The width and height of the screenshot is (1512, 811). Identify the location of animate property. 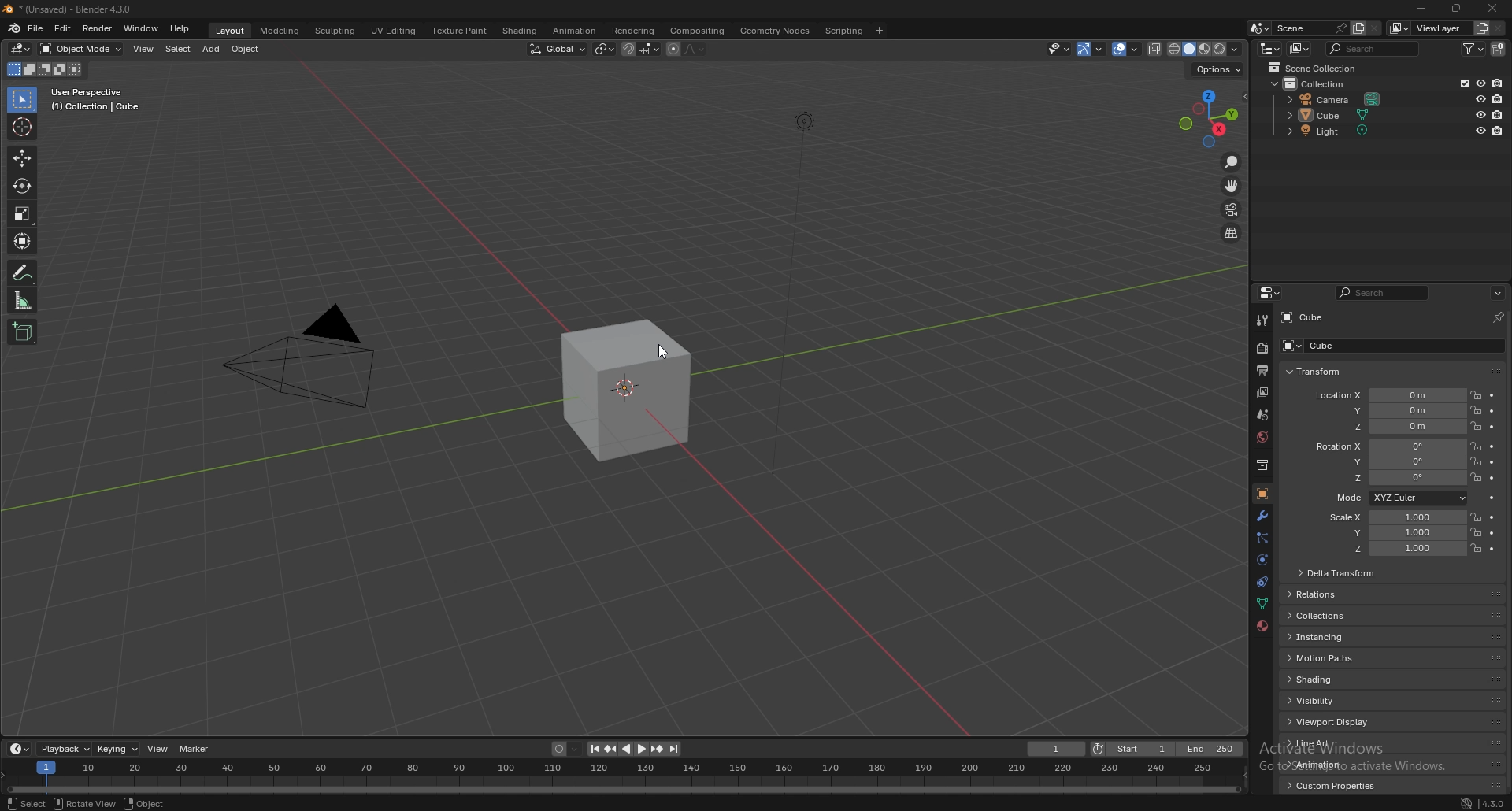
(1492, 549).